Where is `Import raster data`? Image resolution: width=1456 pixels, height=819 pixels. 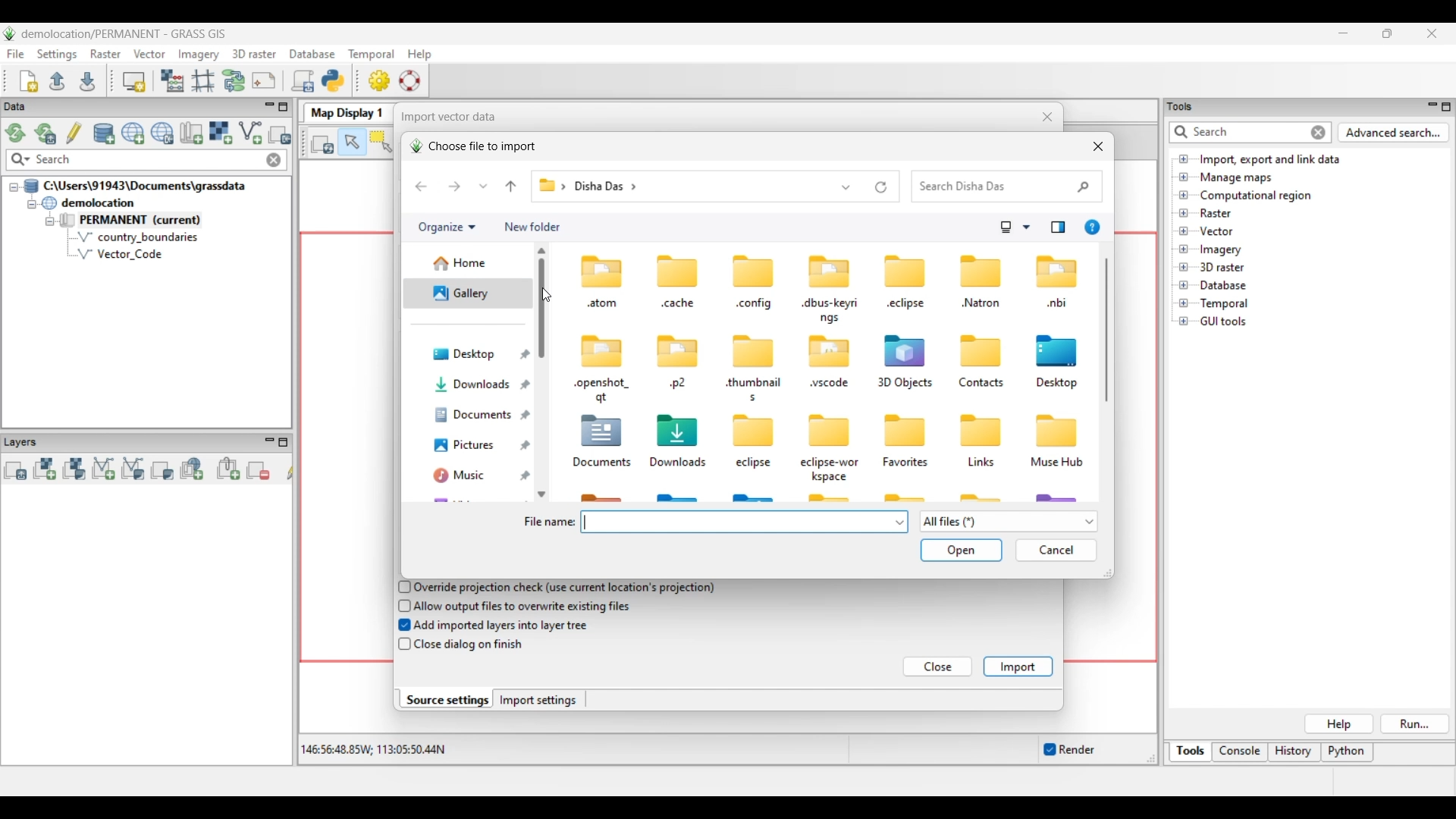 Import raster data is located at coordinates (220, 133).